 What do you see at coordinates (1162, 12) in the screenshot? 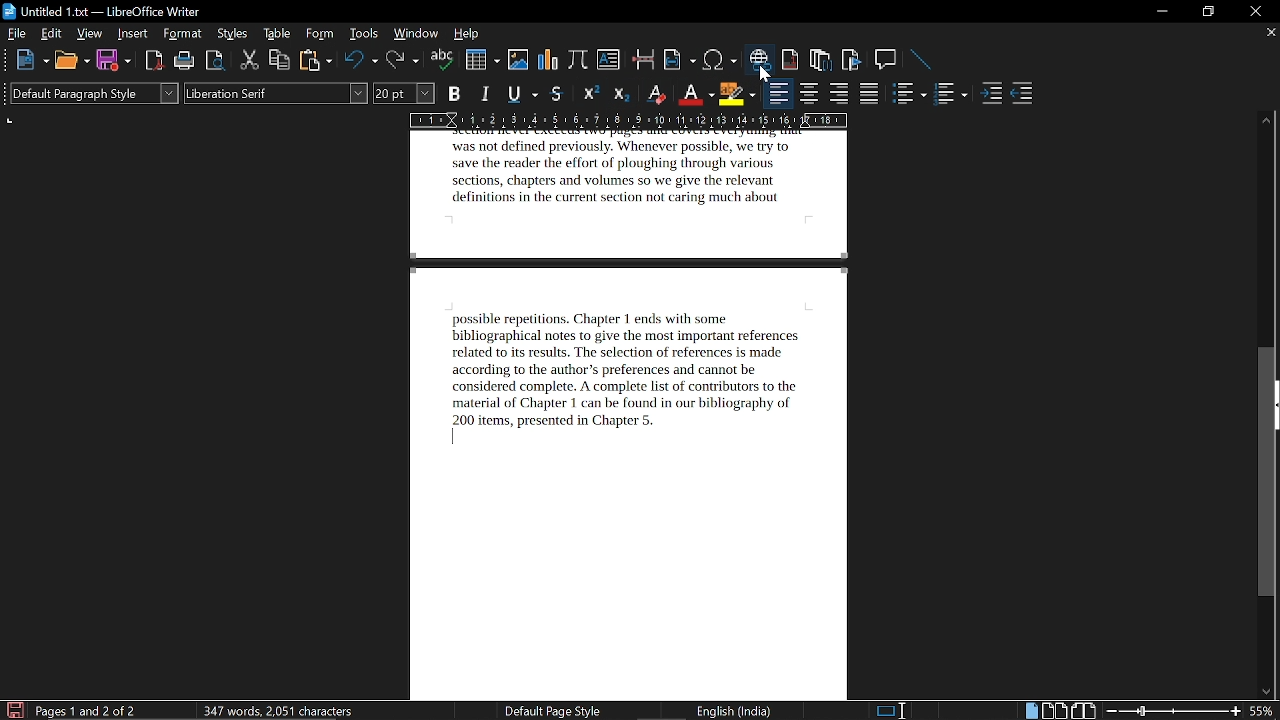
I see `minimize` at bounding box center [1162, 12].